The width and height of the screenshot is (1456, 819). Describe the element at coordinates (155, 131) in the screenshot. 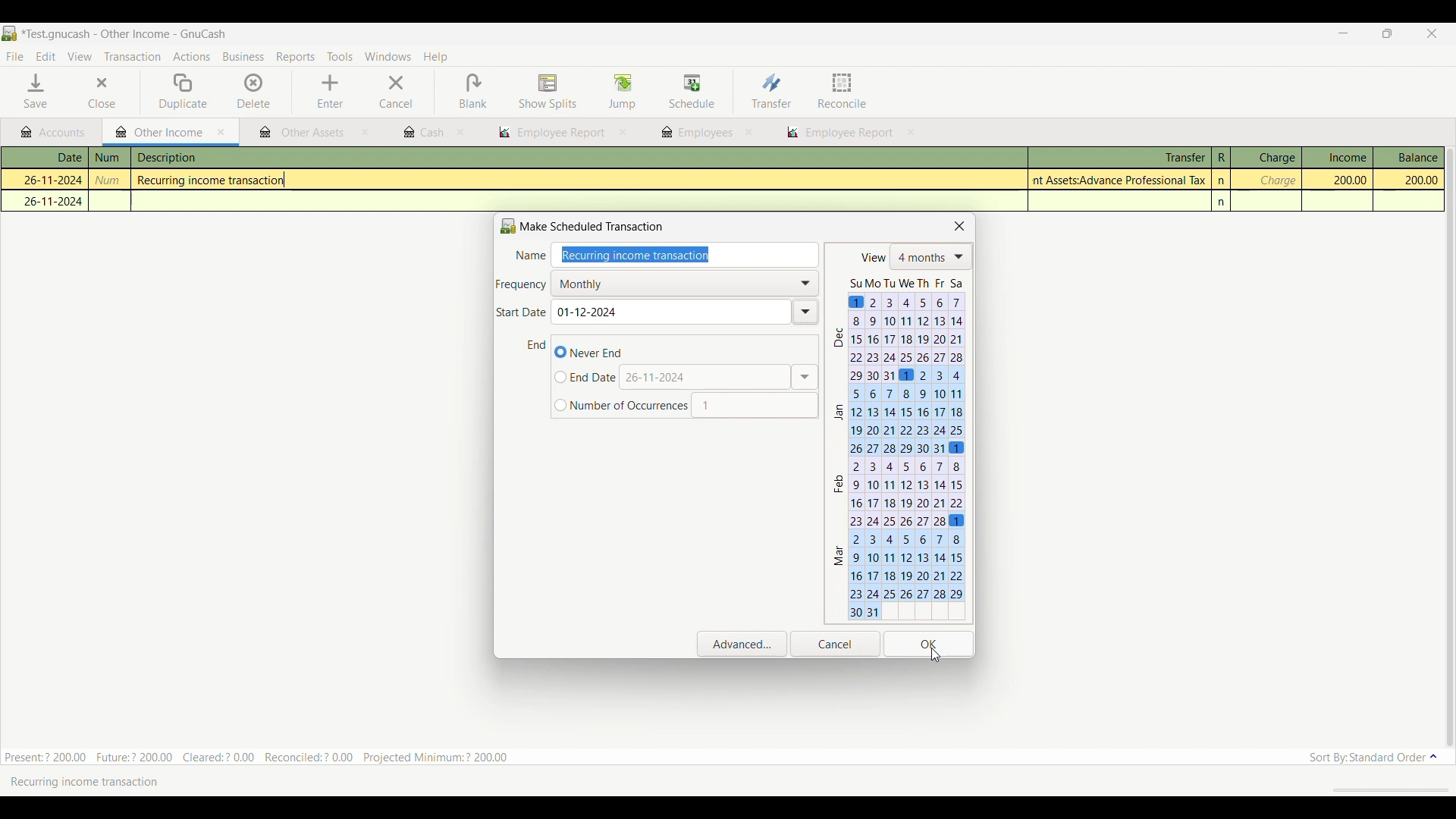

I see `Current tab highlight` at that location.